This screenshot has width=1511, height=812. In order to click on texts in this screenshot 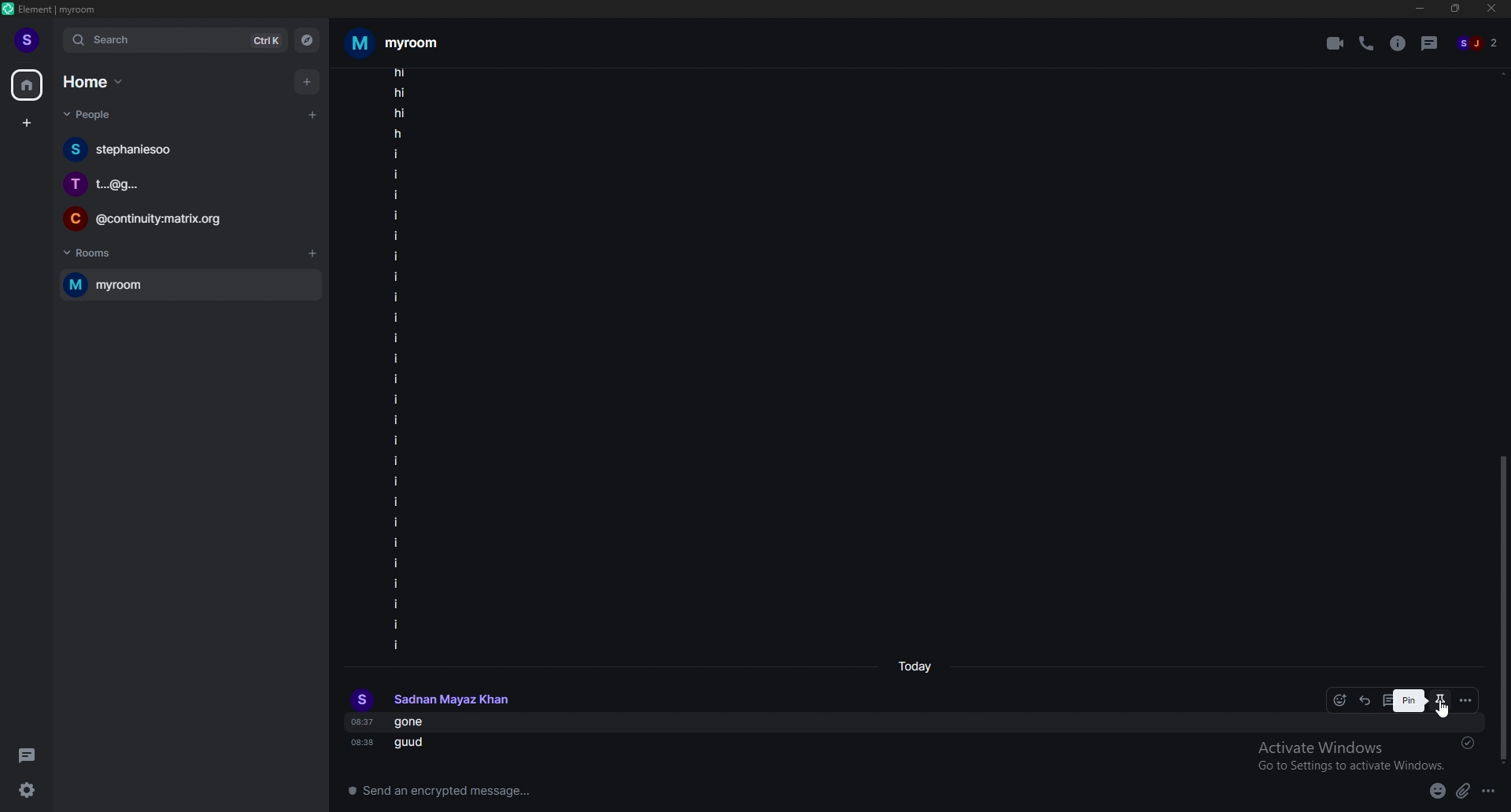, I will do `click(416, 733)`.